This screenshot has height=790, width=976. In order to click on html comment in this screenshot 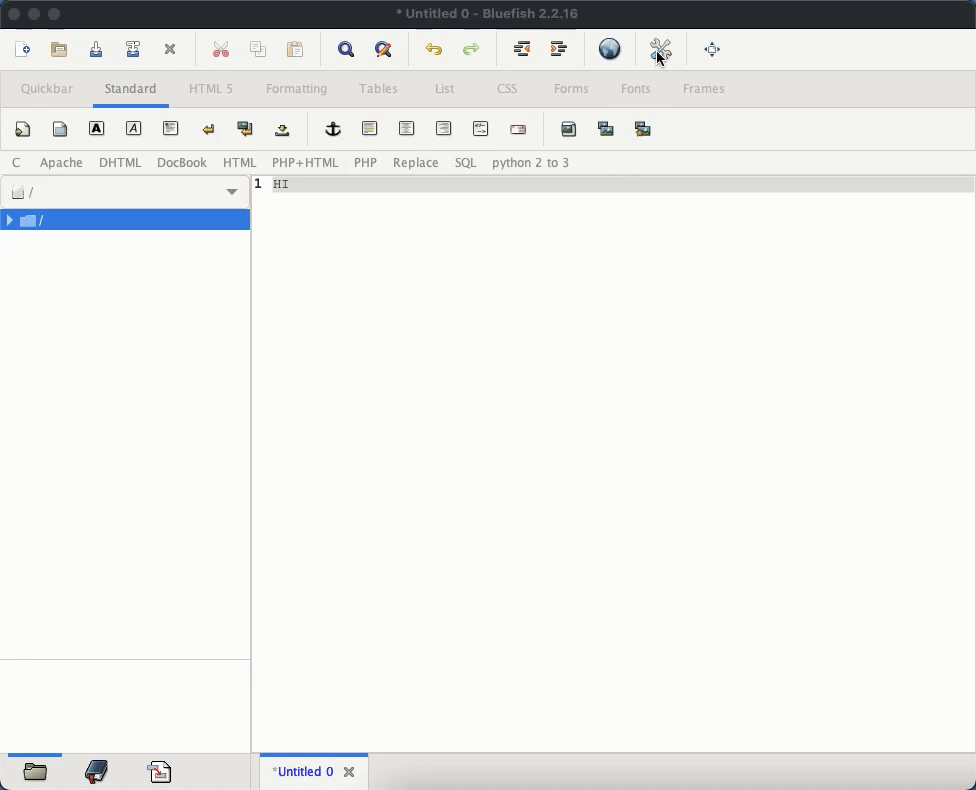, I will do `click(481, 127)`.